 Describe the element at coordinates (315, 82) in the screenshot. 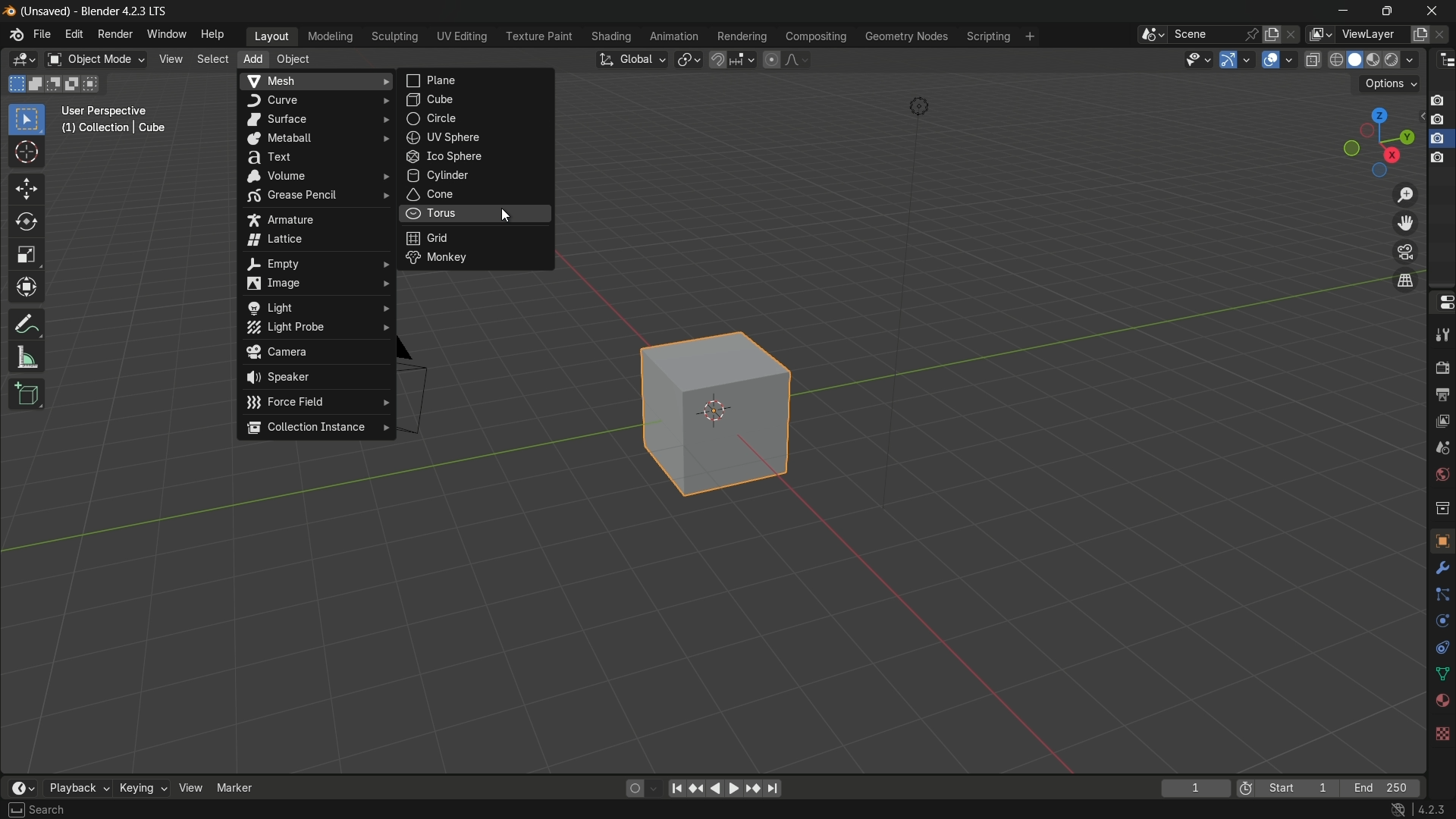

I see `mesh` at that location.